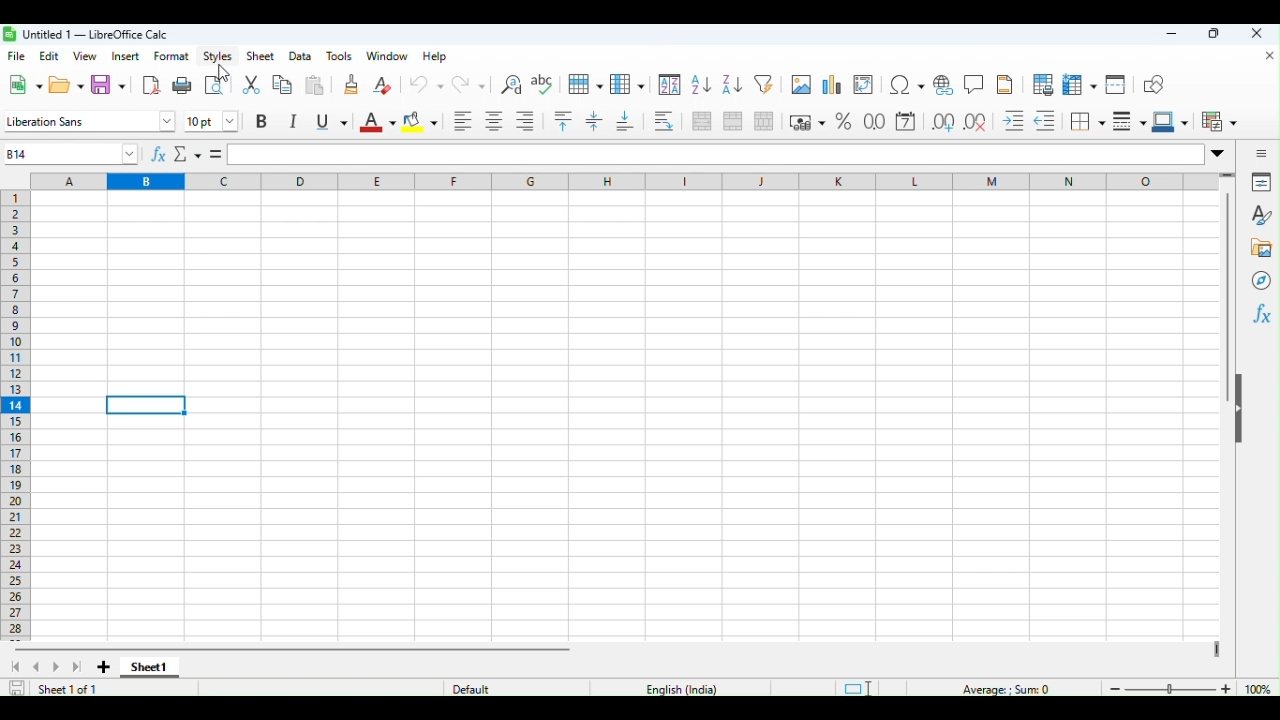 The width and height of the screenshot is (1280, 720). What do you see at coordinates (150, 83) in the screenshot?
I see `Convert to PDF` at bounding box center [150, 83].